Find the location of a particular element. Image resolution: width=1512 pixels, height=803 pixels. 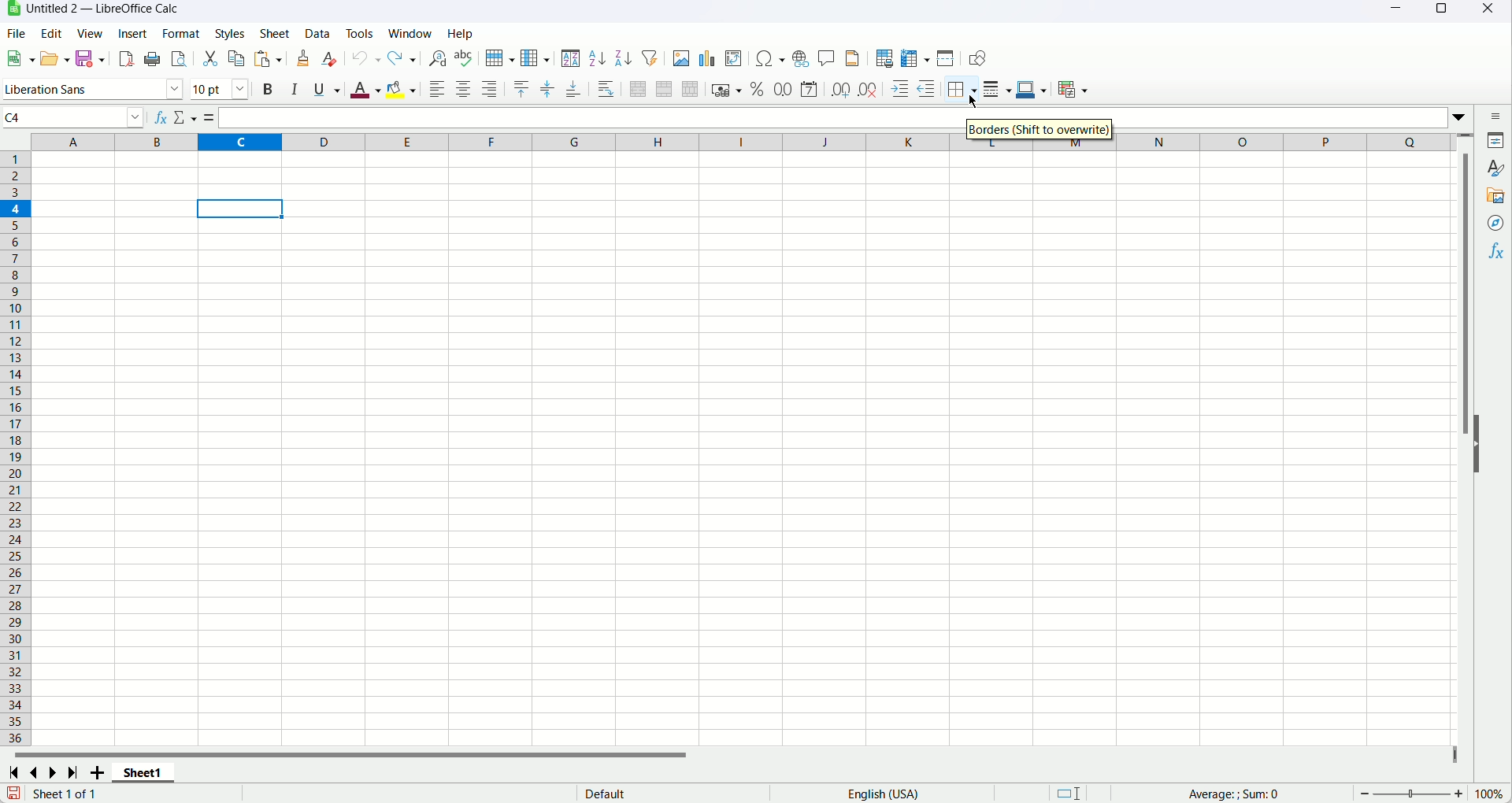

Window is located at coordinates (410, 33).